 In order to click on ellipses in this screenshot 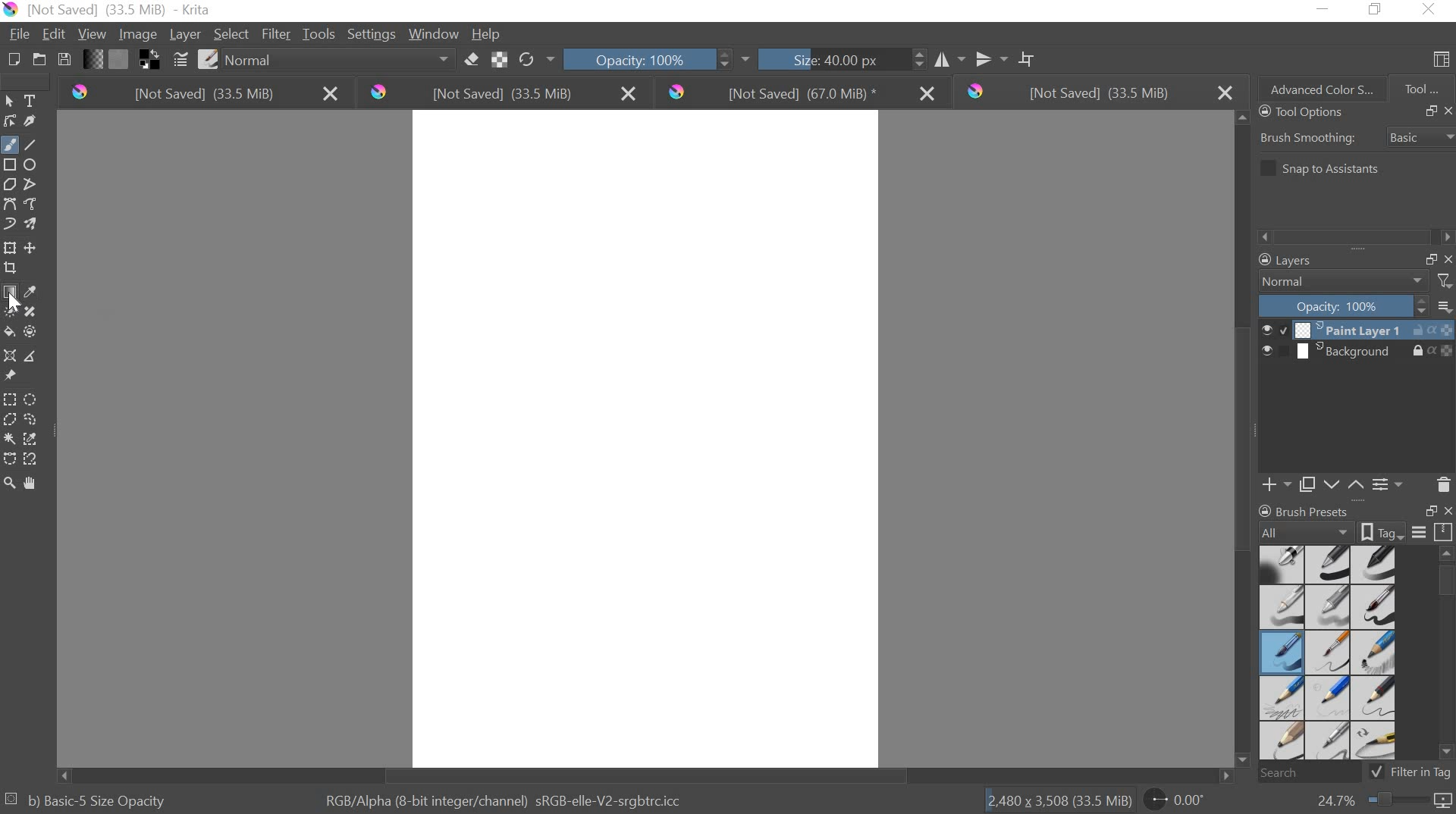, I will do `click(30, 165)`.